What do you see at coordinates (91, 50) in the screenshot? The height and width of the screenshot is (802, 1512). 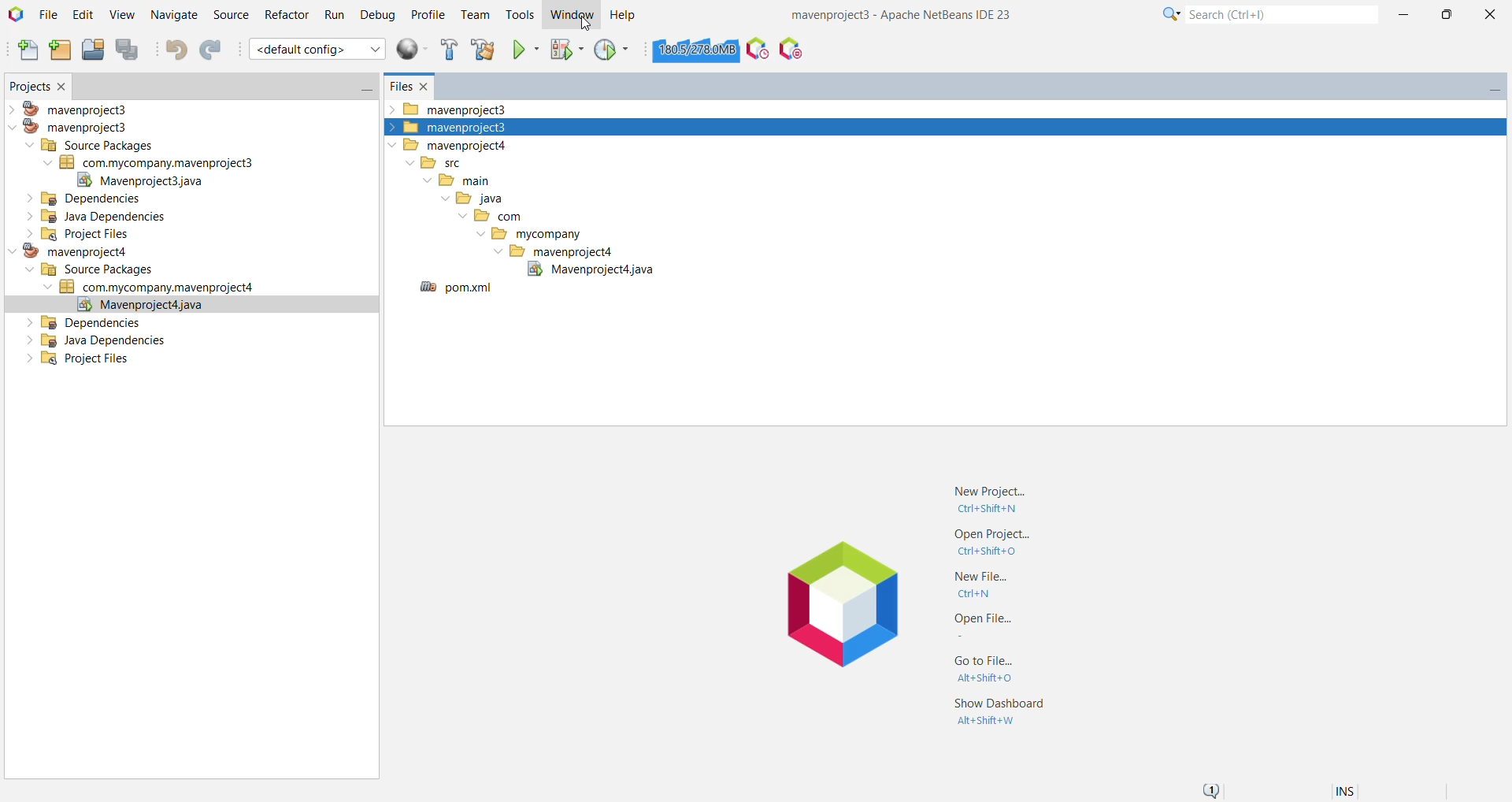 I see `Open Project` at bounding box center [91, 50].